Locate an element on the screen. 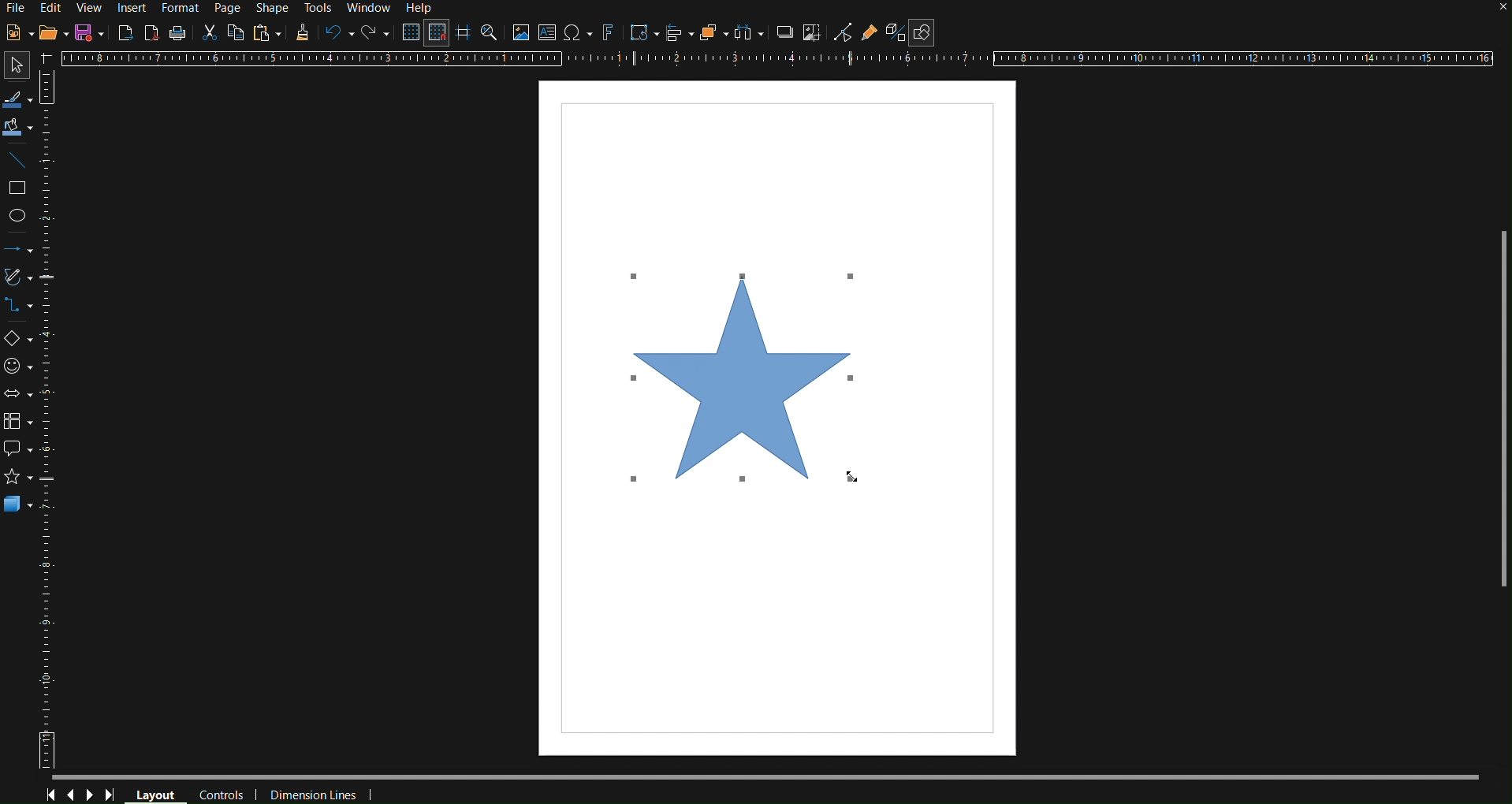 This screenshot has width=1512, height=804. Print is located at coordinates (179, 32).